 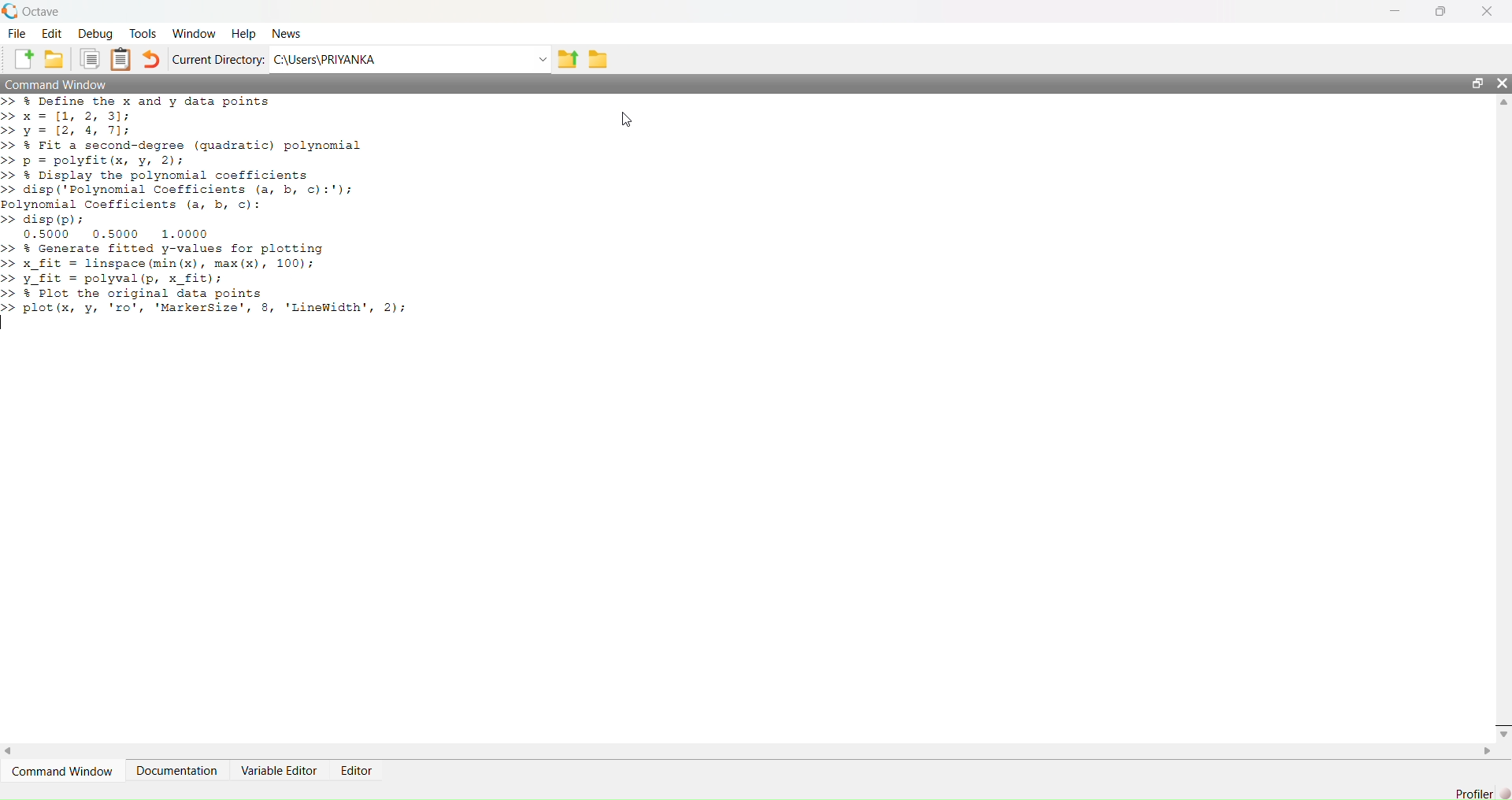 I want to click on Edit, so click(x=53, y=35).